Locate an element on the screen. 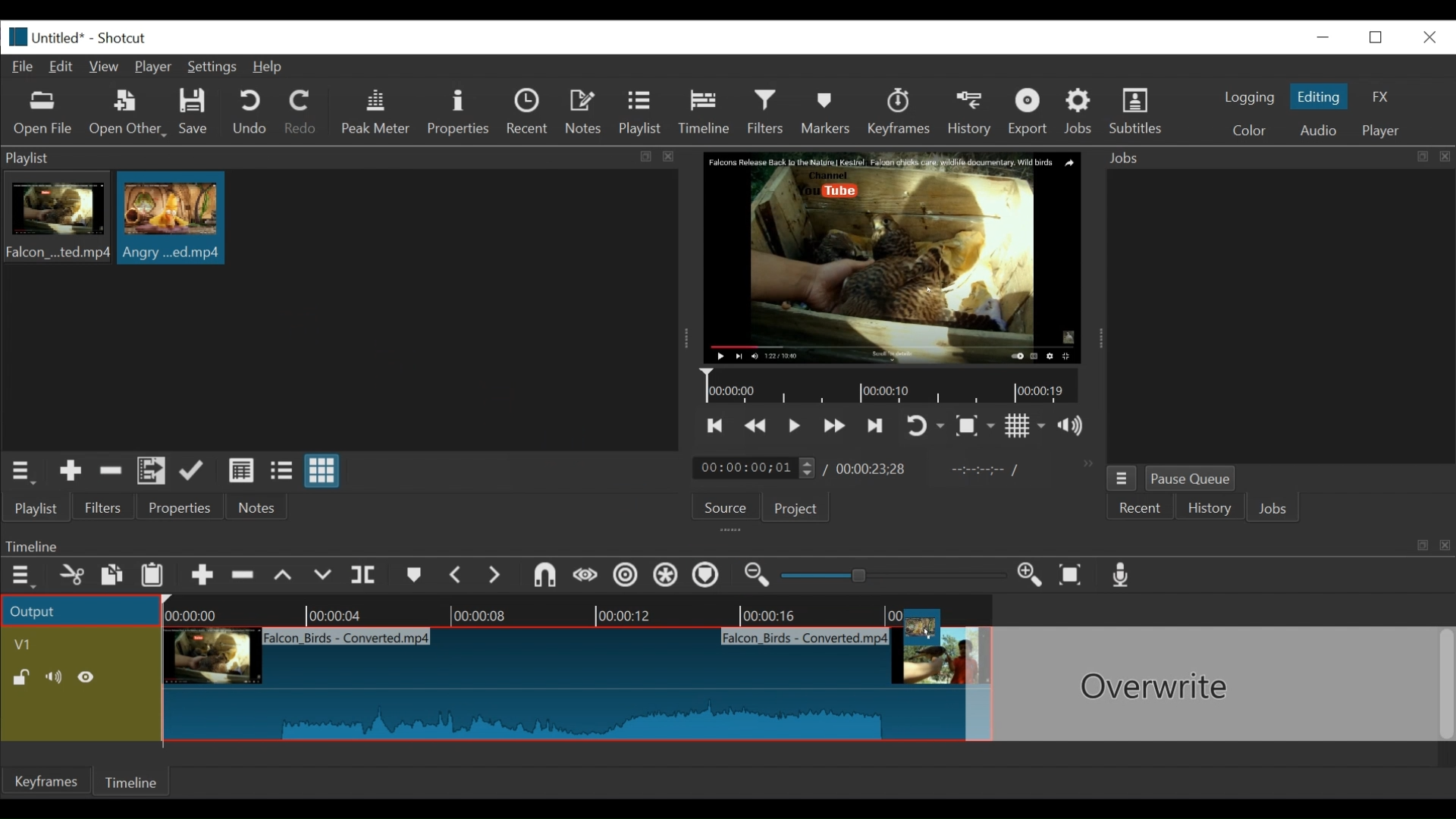  toggle player looping is located at coordinates (925, 427).